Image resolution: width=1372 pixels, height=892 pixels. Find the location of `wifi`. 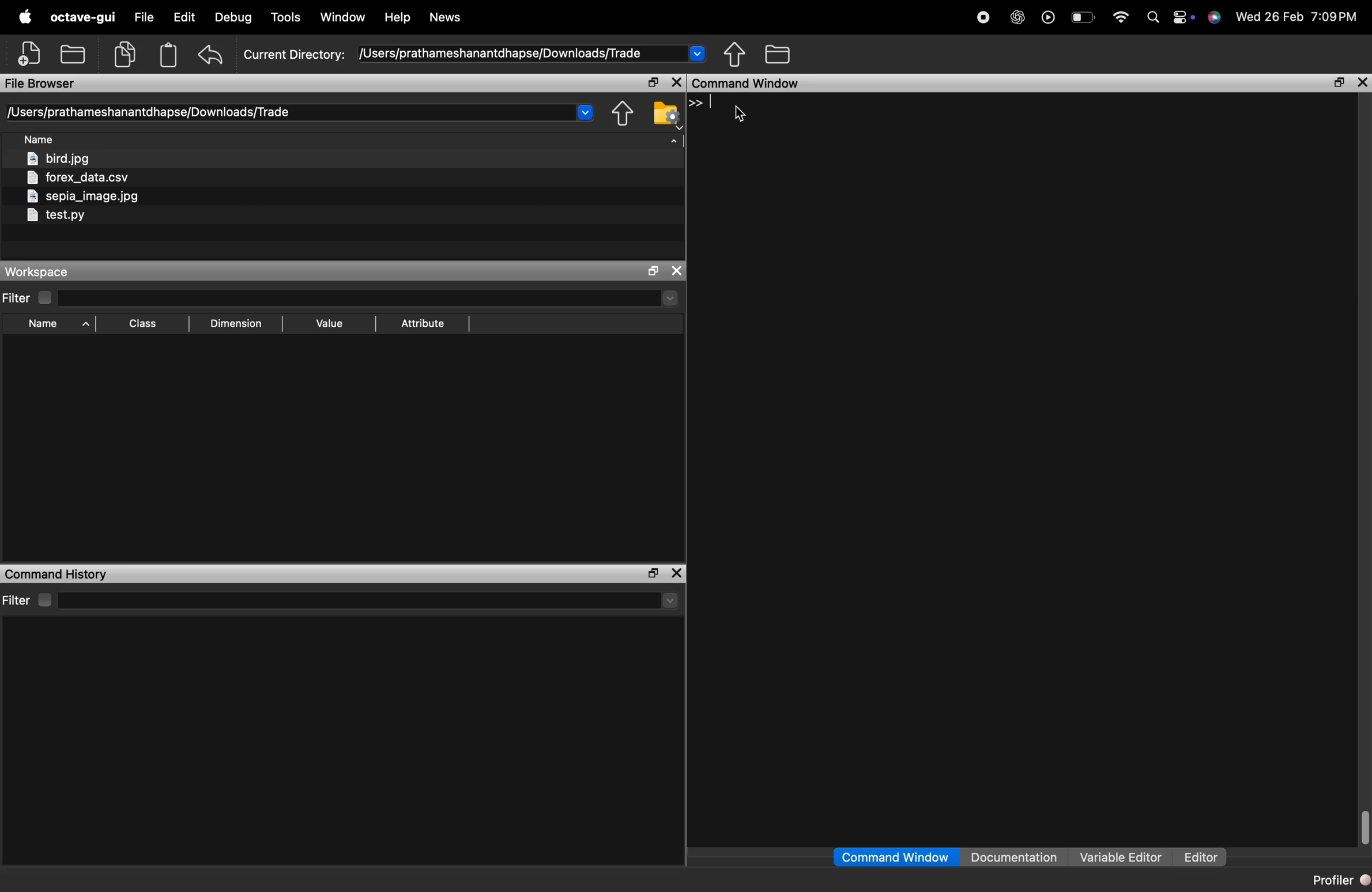

wifi is located at coordinates (1121, 18).